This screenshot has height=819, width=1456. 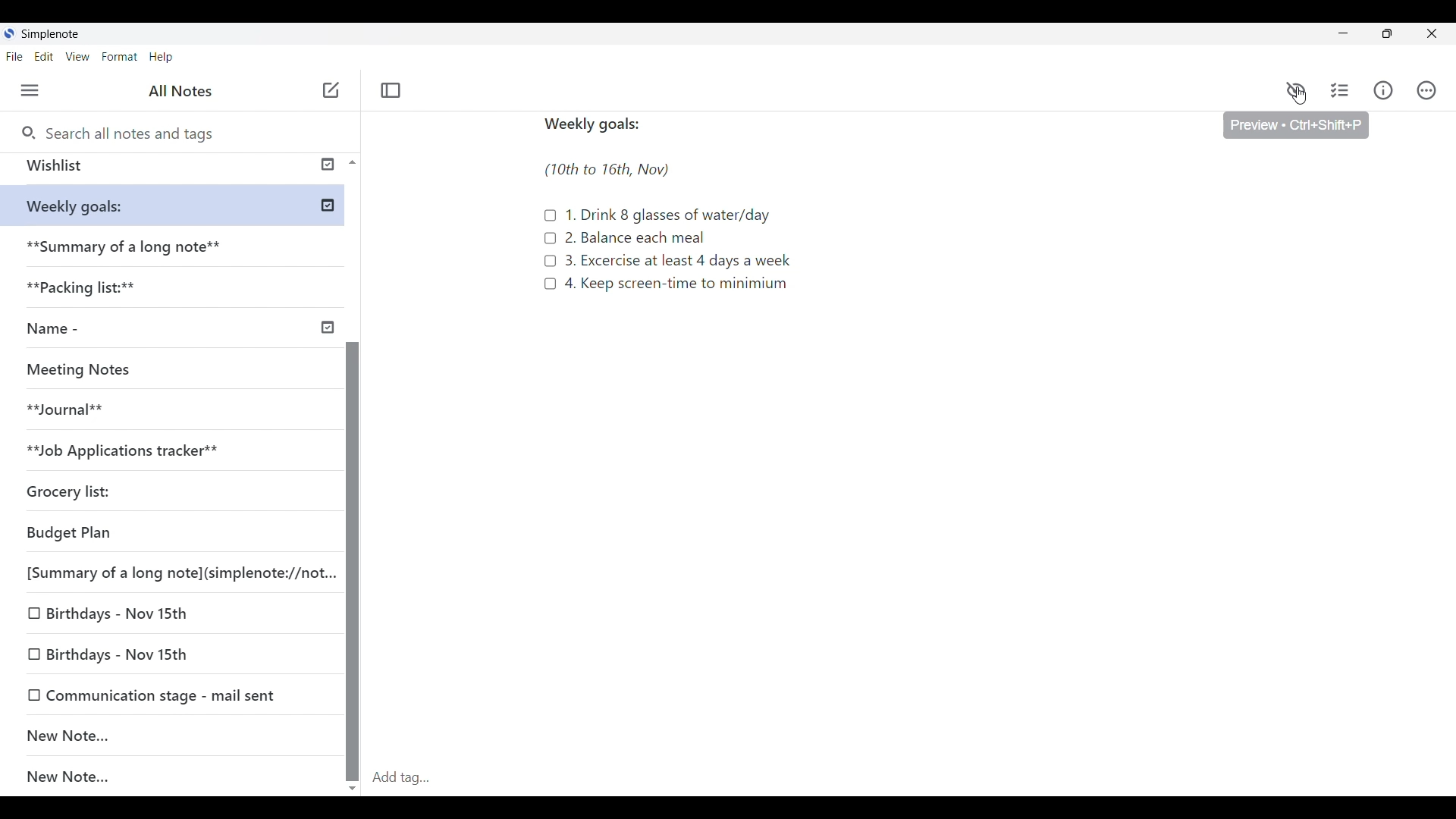 What do you see at coordinates (549, 260) in the screenshot?
I see `Checklist icon` at bounding box center [549, 260].